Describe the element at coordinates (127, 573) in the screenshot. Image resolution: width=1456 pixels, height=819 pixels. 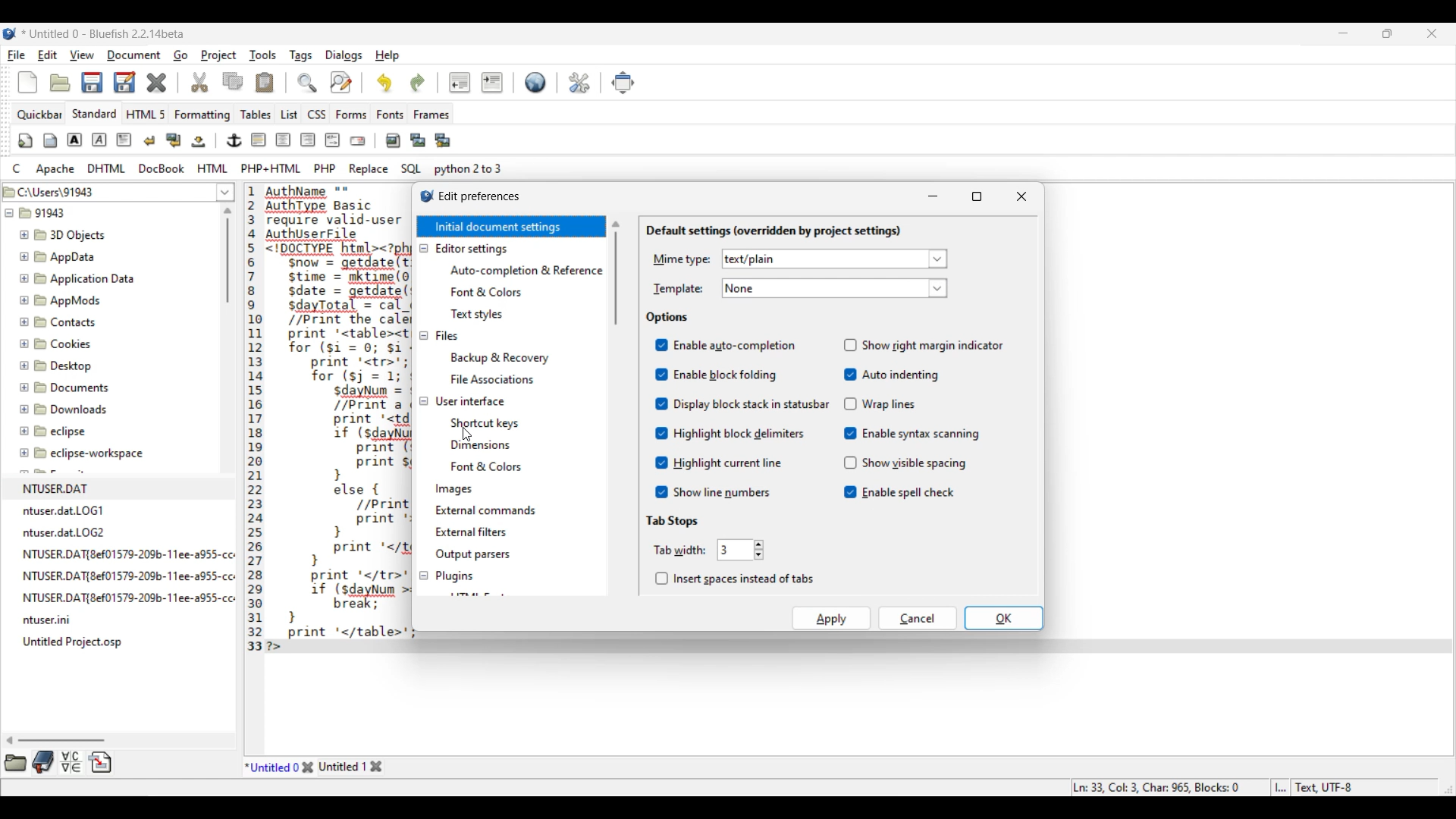
I see `NTUSER.DATI8ef01579-209b-11ee-2955-cc+` at that location.